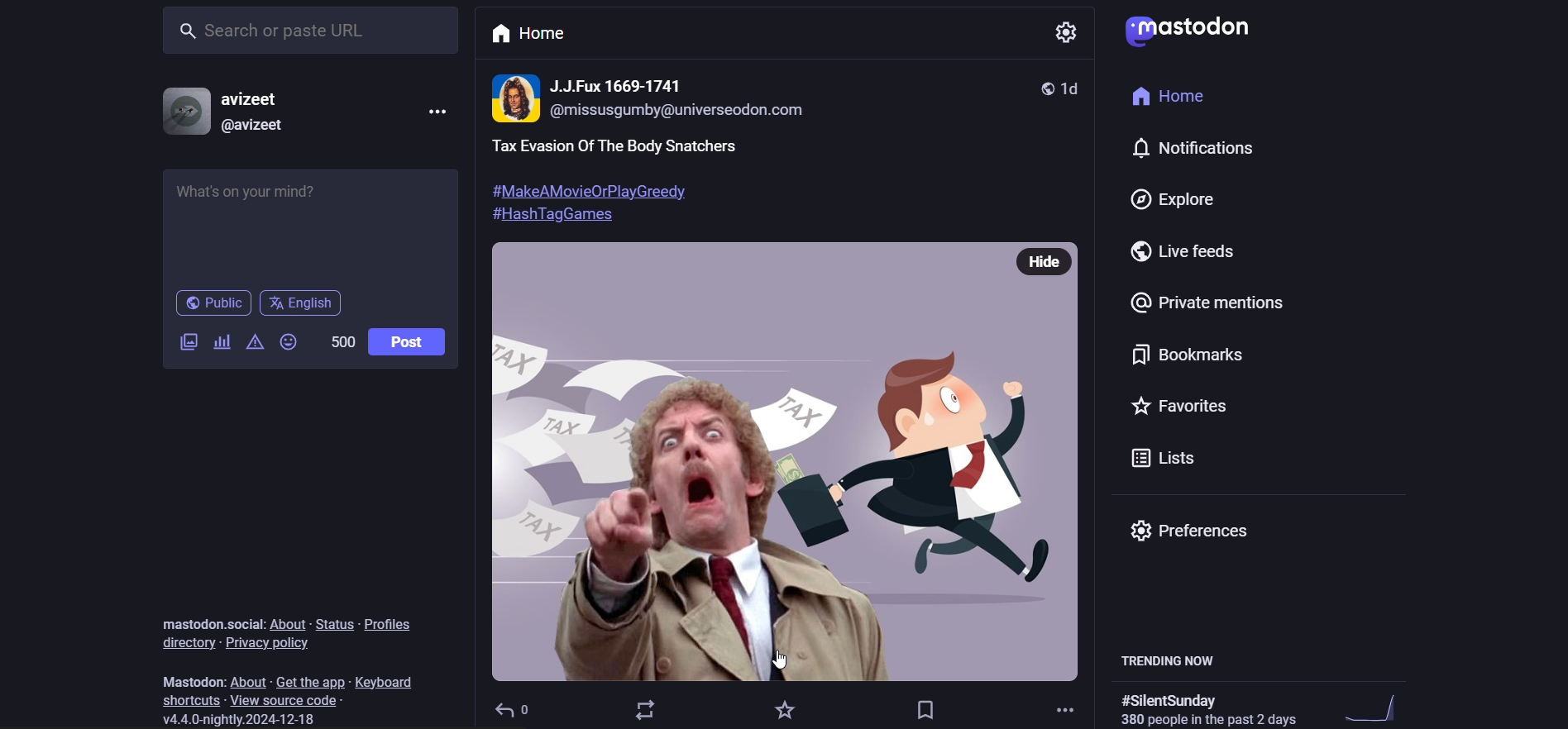 This screenshot has height=729, width=1568. I want to click on privacy policy, so click(265, 642).